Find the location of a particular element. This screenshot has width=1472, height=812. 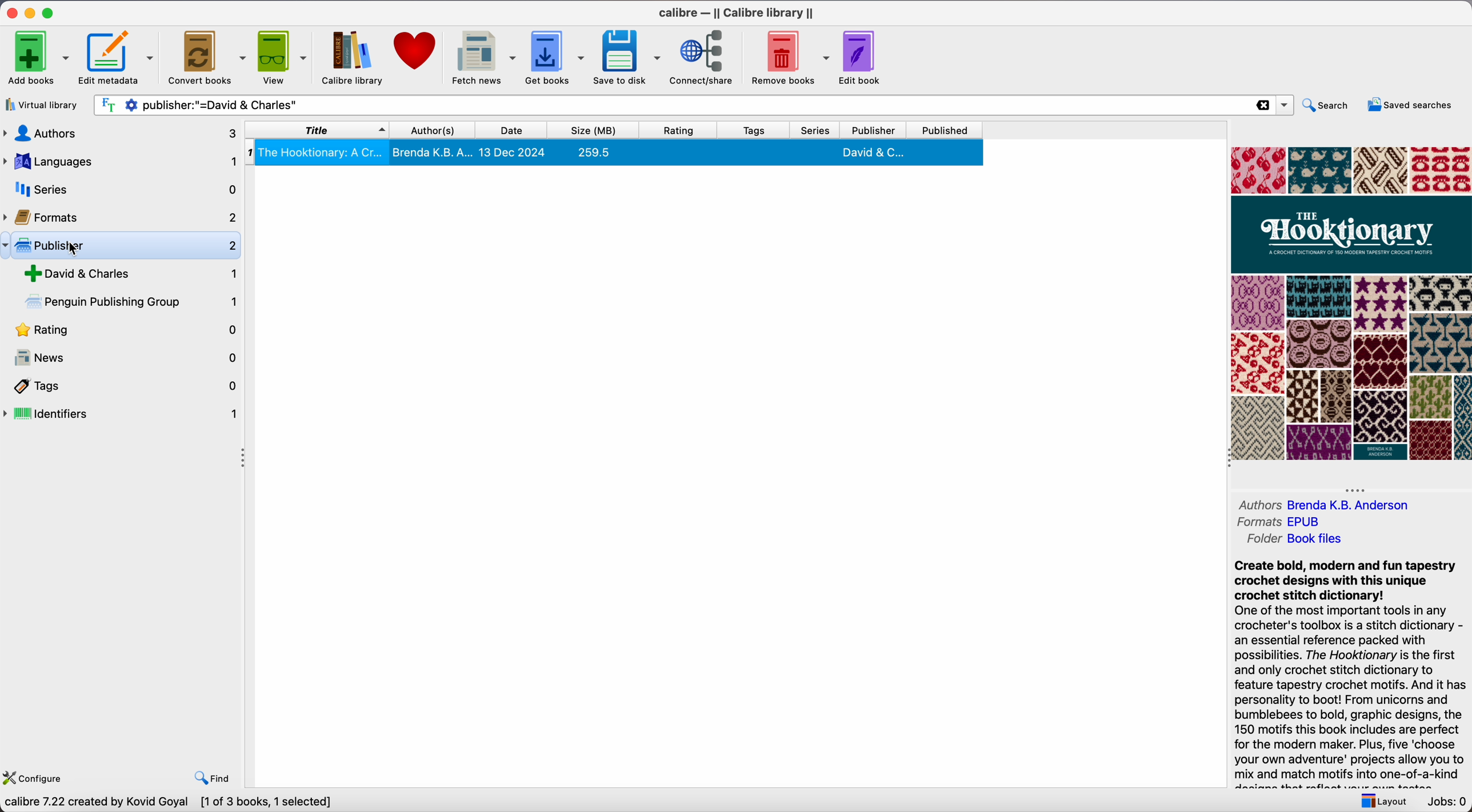

Calibre is located at coordinates (738, 13).